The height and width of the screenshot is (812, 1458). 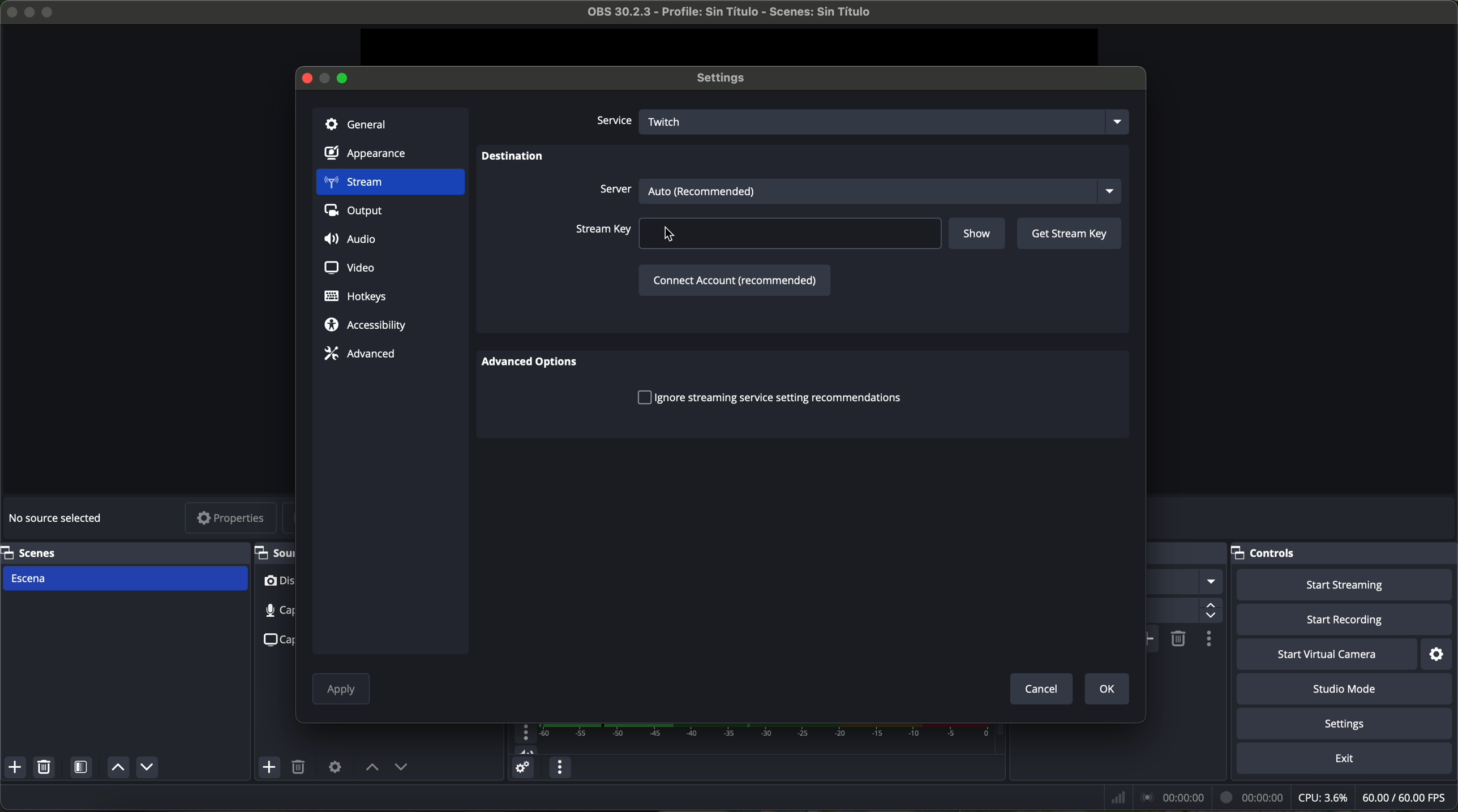 What do you see at coordinates (276, 639) in the screenshot?
I see `screenshot` at bounding box center [276, 639].